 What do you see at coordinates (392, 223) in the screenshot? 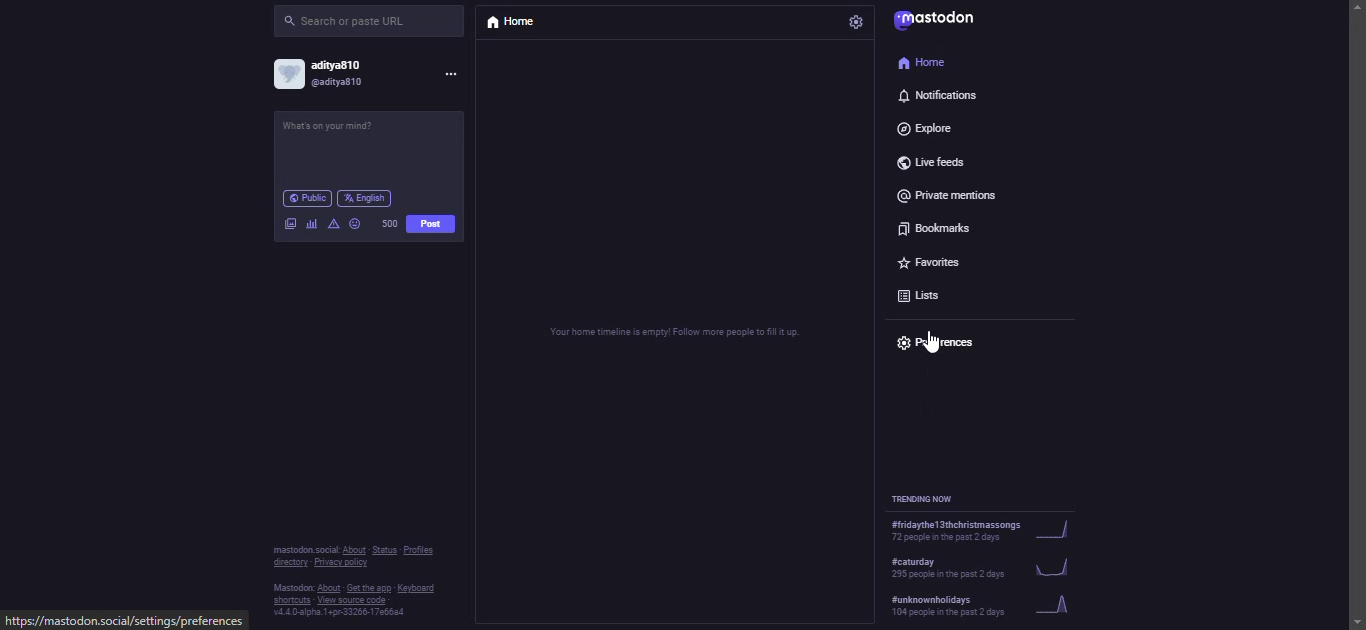
I see `500` at bounding box center [392, 223].